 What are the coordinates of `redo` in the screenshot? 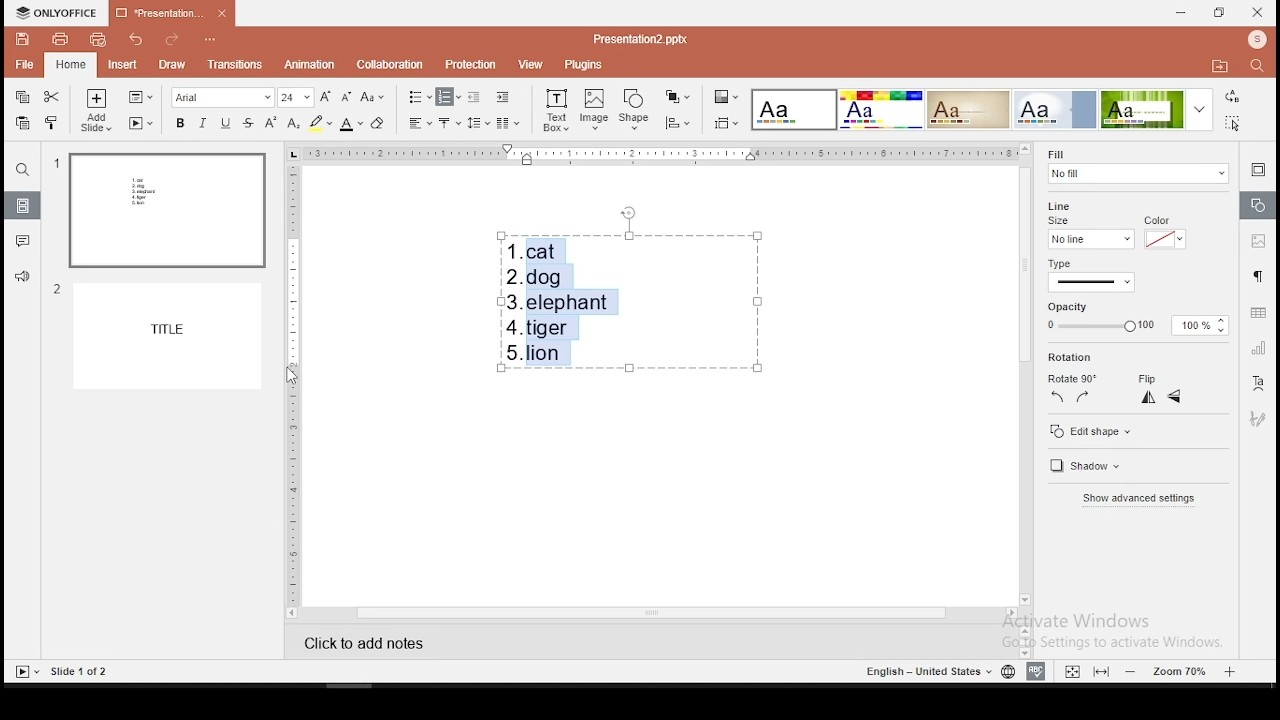 It's located at (173, 38).